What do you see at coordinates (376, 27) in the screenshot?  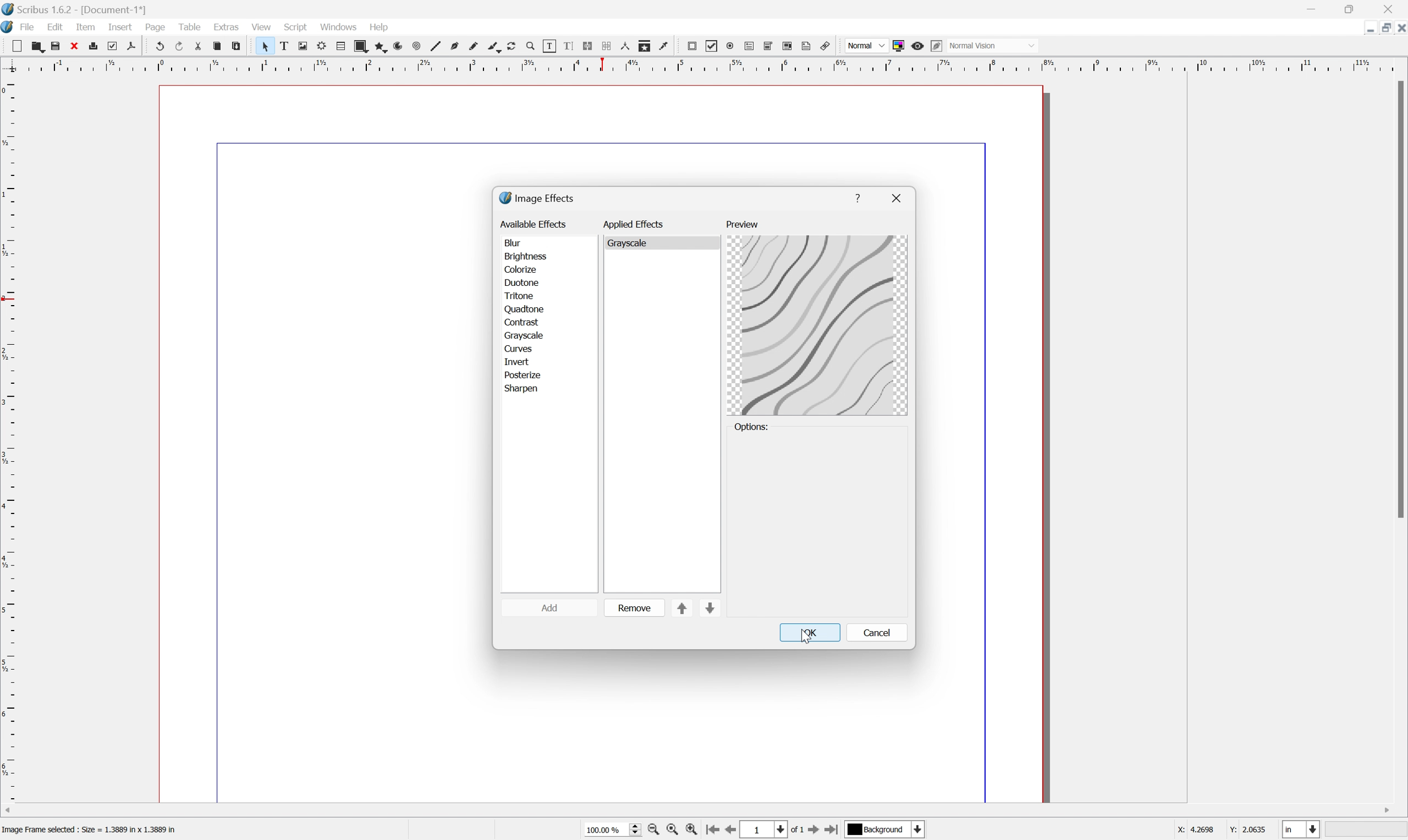 I see `Help` at bounding box center [376, 27].